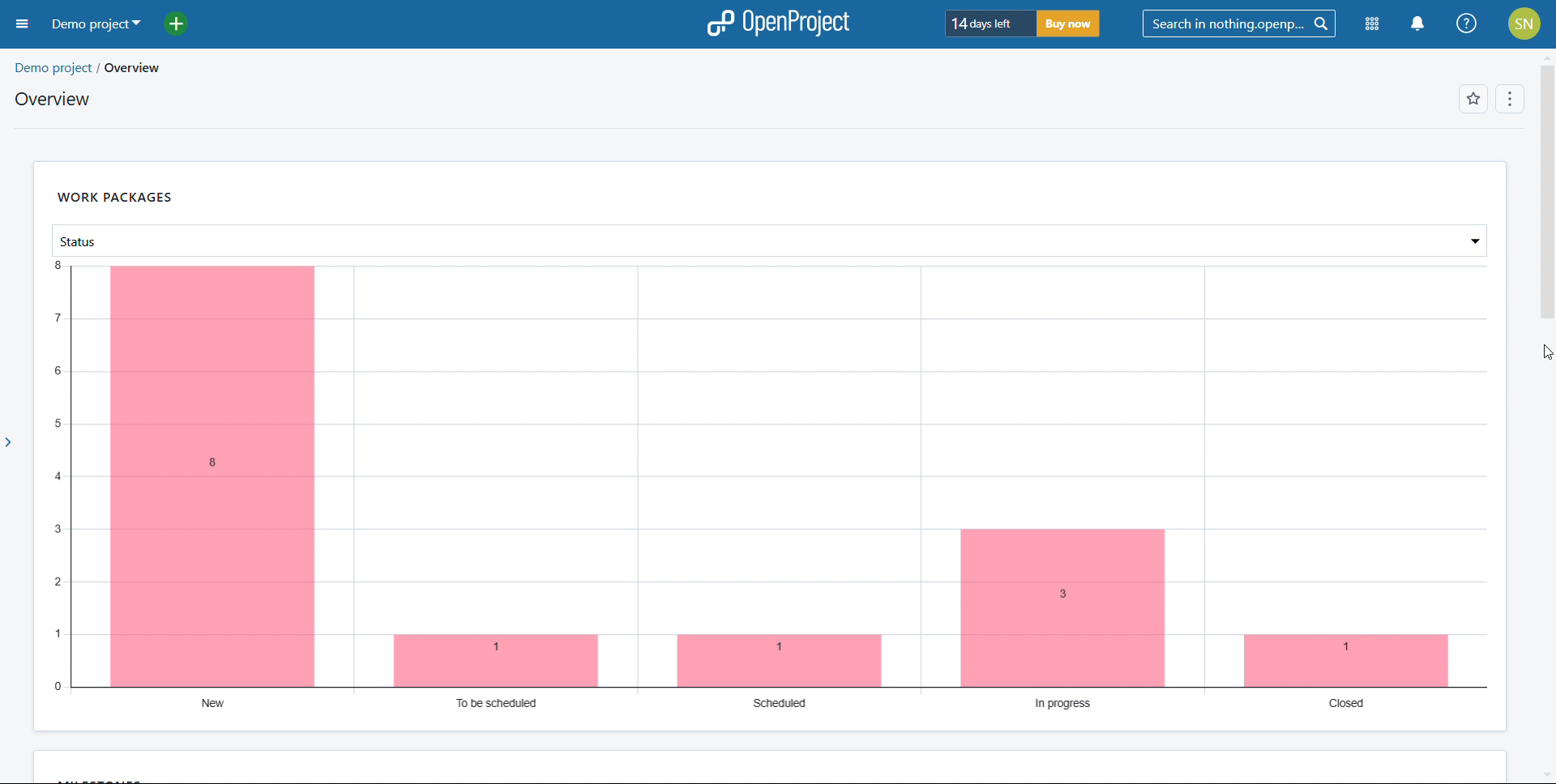 This screenshot has width=1556, height=784. What do you see at coordinates (1511, 98) in the screenshot?
I see `opyions` at bounding box center [1511, 98].